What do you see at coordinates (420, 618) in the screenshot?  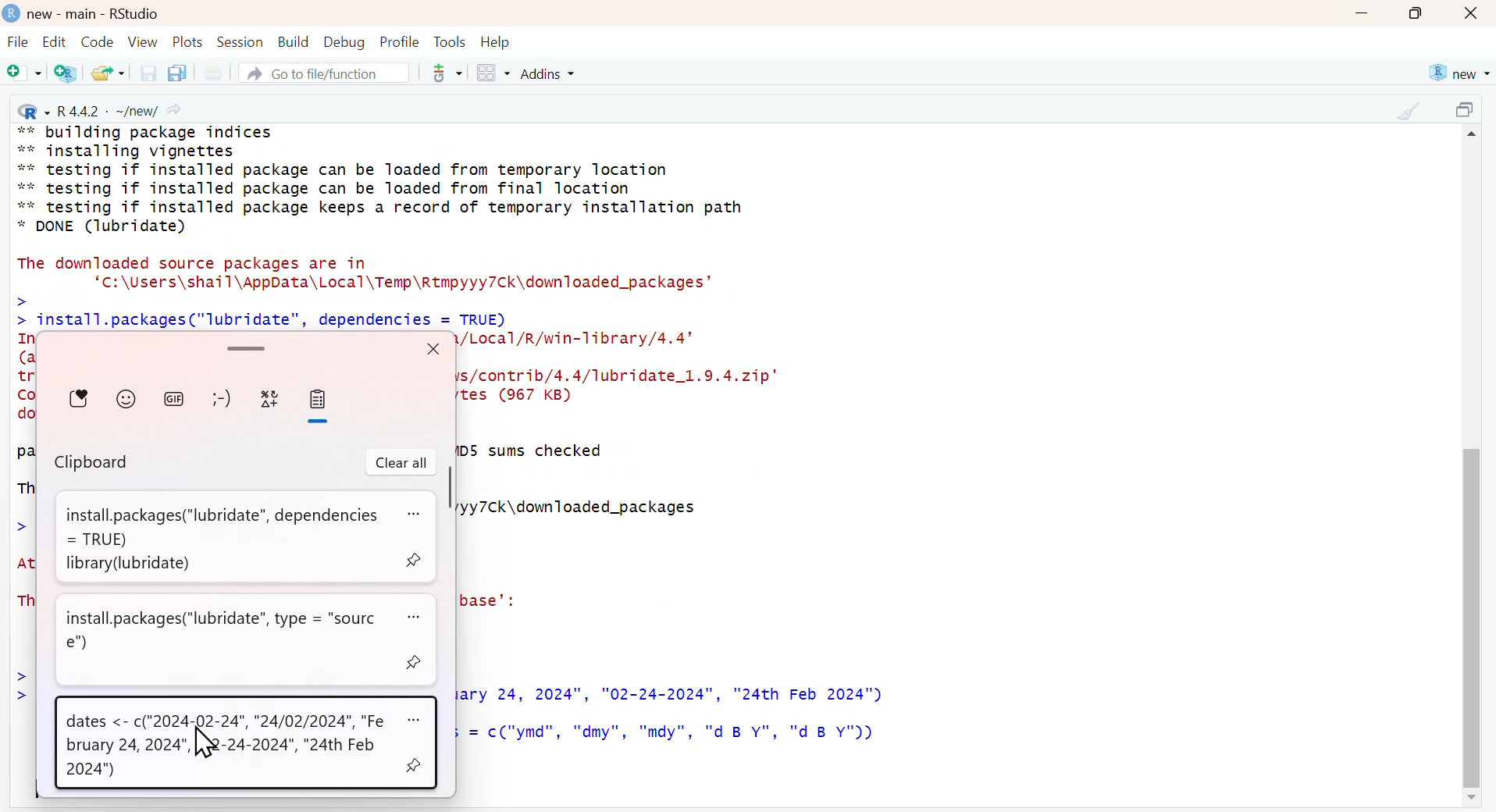 I see `more options` at bounding box center [420, 618].